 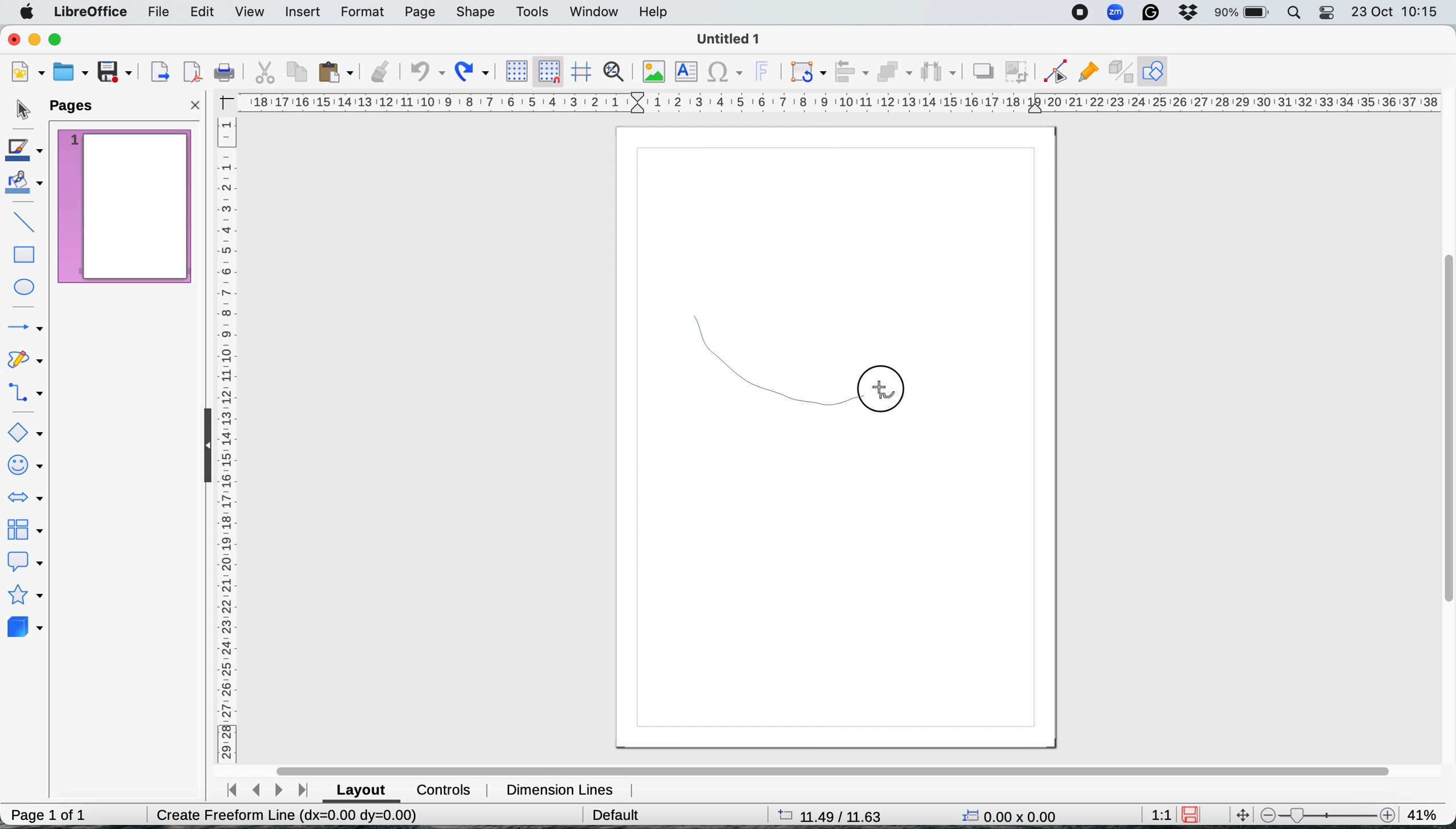 I want to click on page, so click(x=421, y=13).